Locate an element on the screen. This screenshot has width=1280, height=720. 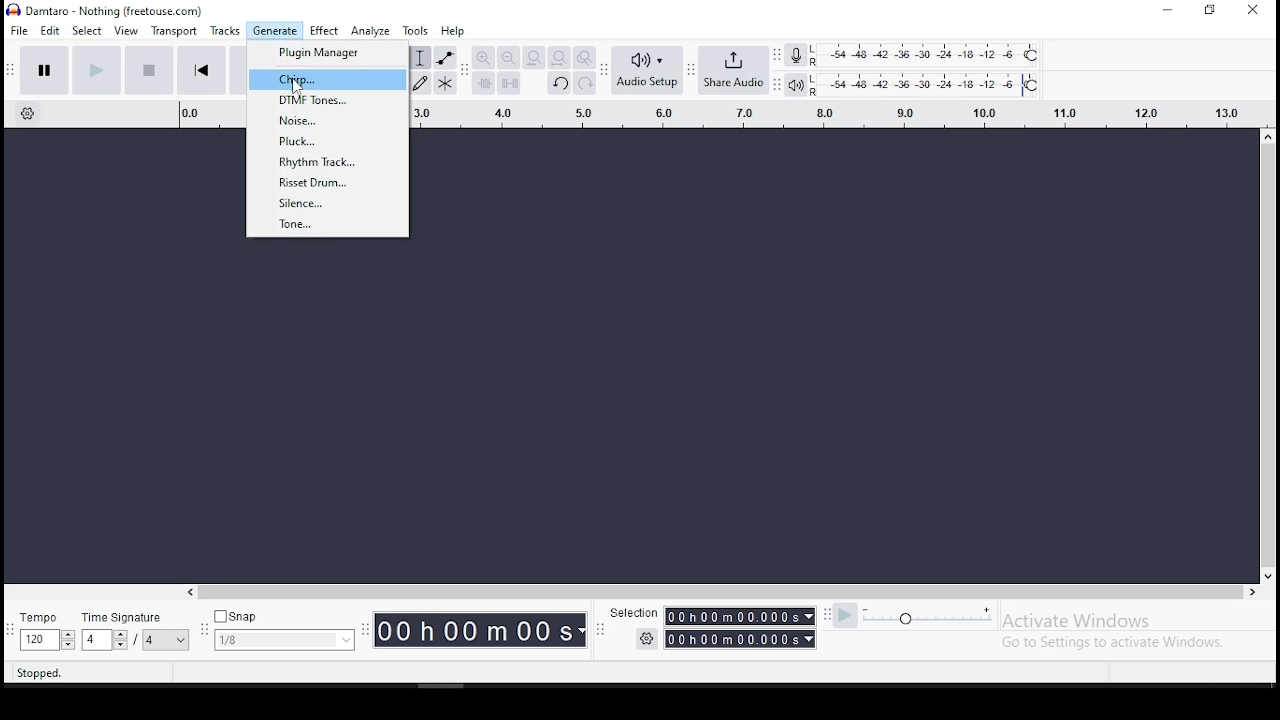
playback level is located at coordinates (927, 85).